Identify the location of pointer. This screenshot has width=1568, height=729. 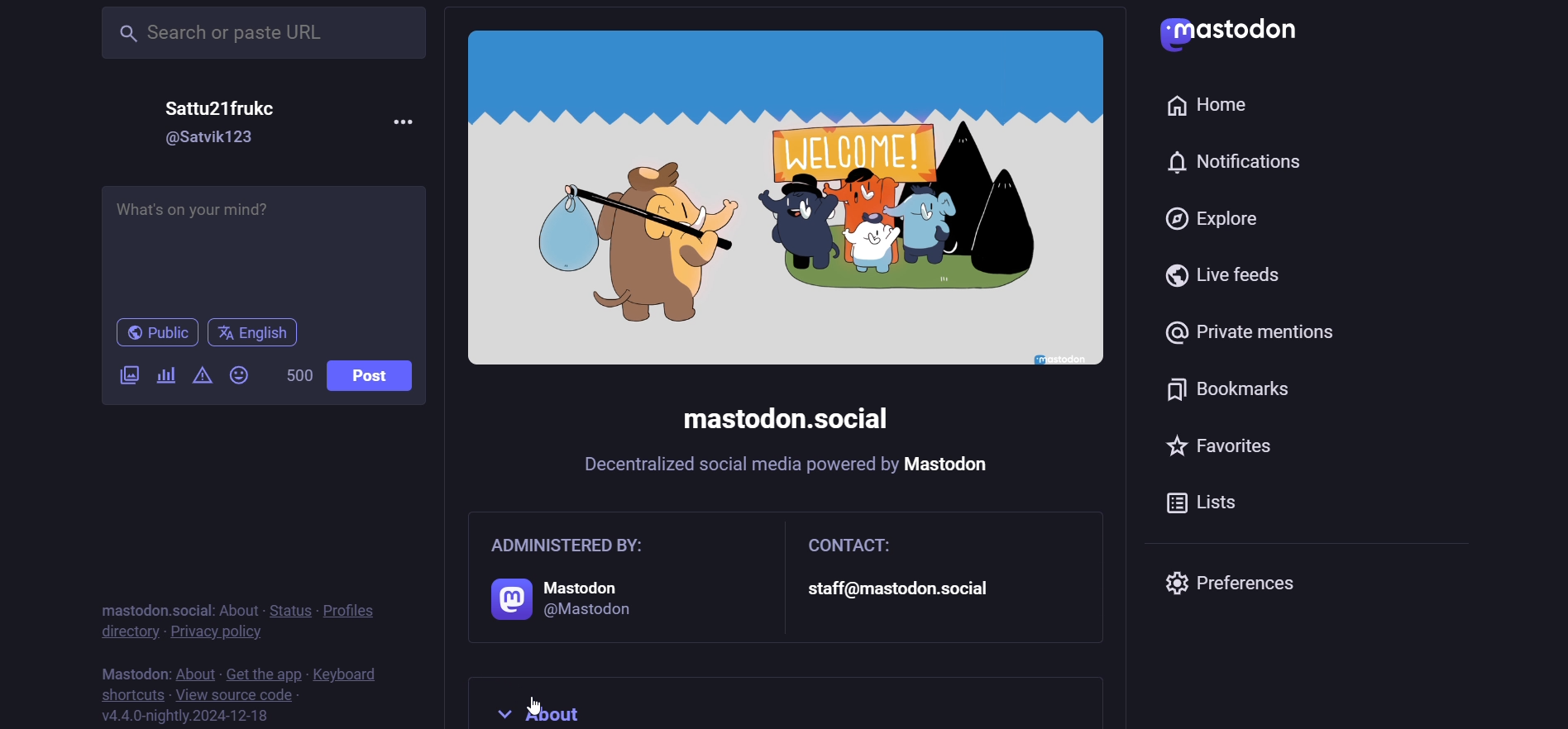
(532, 704).